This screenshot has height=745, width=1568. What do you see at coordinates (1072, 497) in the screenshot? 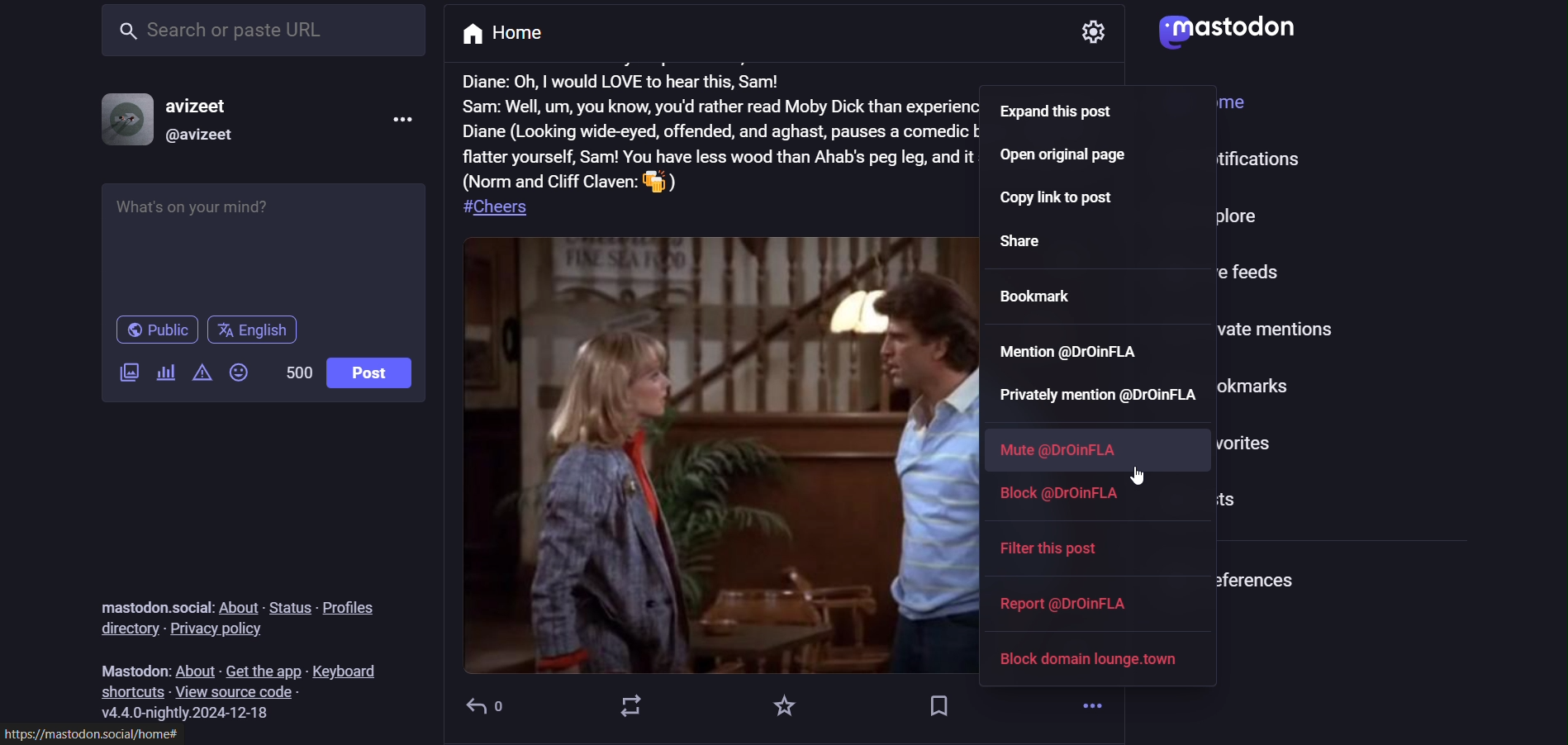
I see `block user` at bounding box center [1072, 497].